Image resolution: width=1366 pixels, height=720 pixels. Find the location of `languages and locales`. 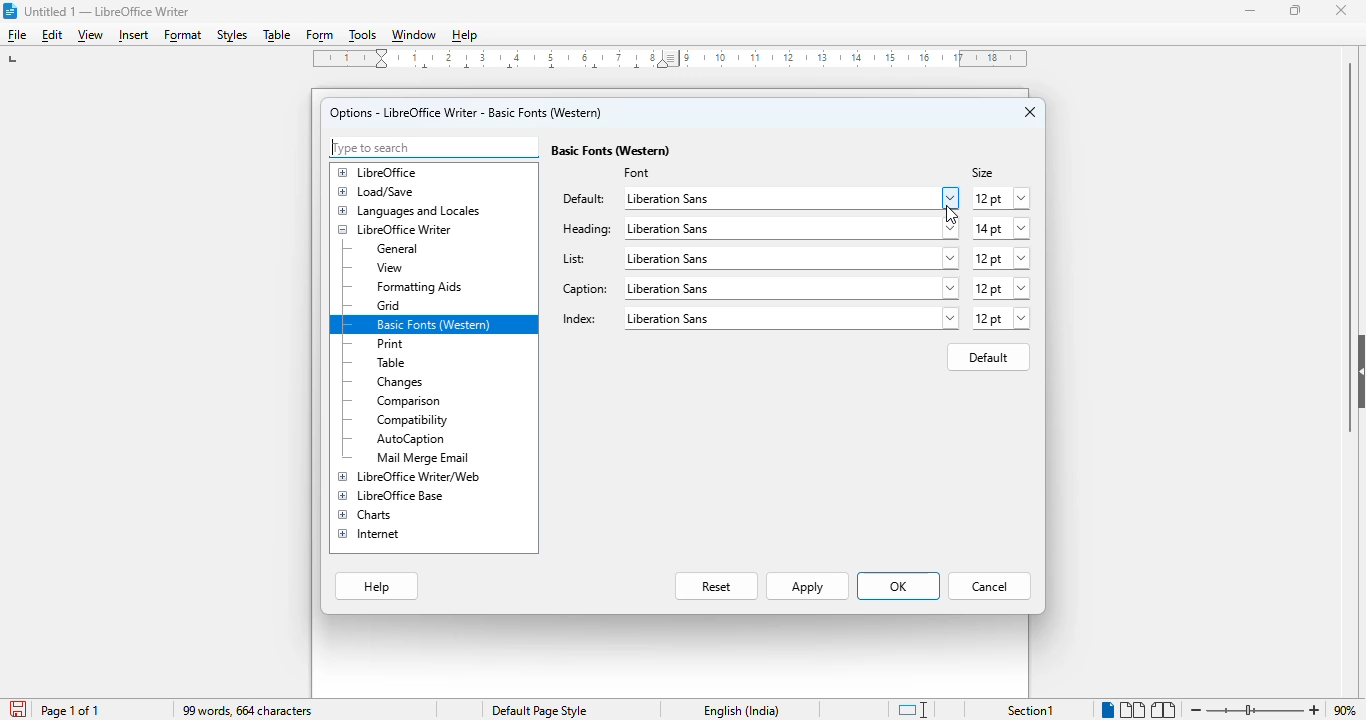

languages and locales is located at coordinates (410, 211).